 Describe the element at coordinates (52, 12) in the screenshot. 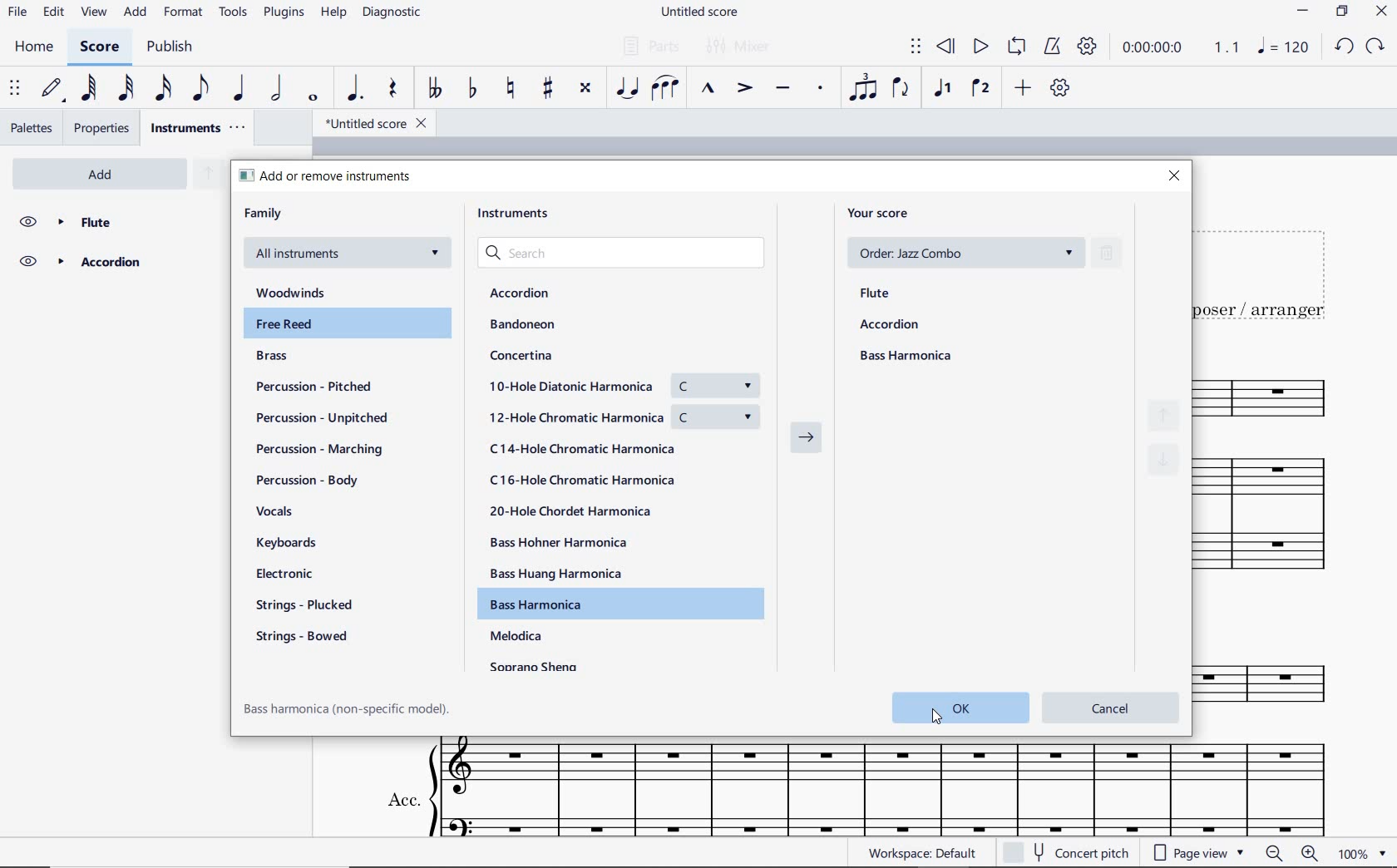

I see `EDIT` at that location.